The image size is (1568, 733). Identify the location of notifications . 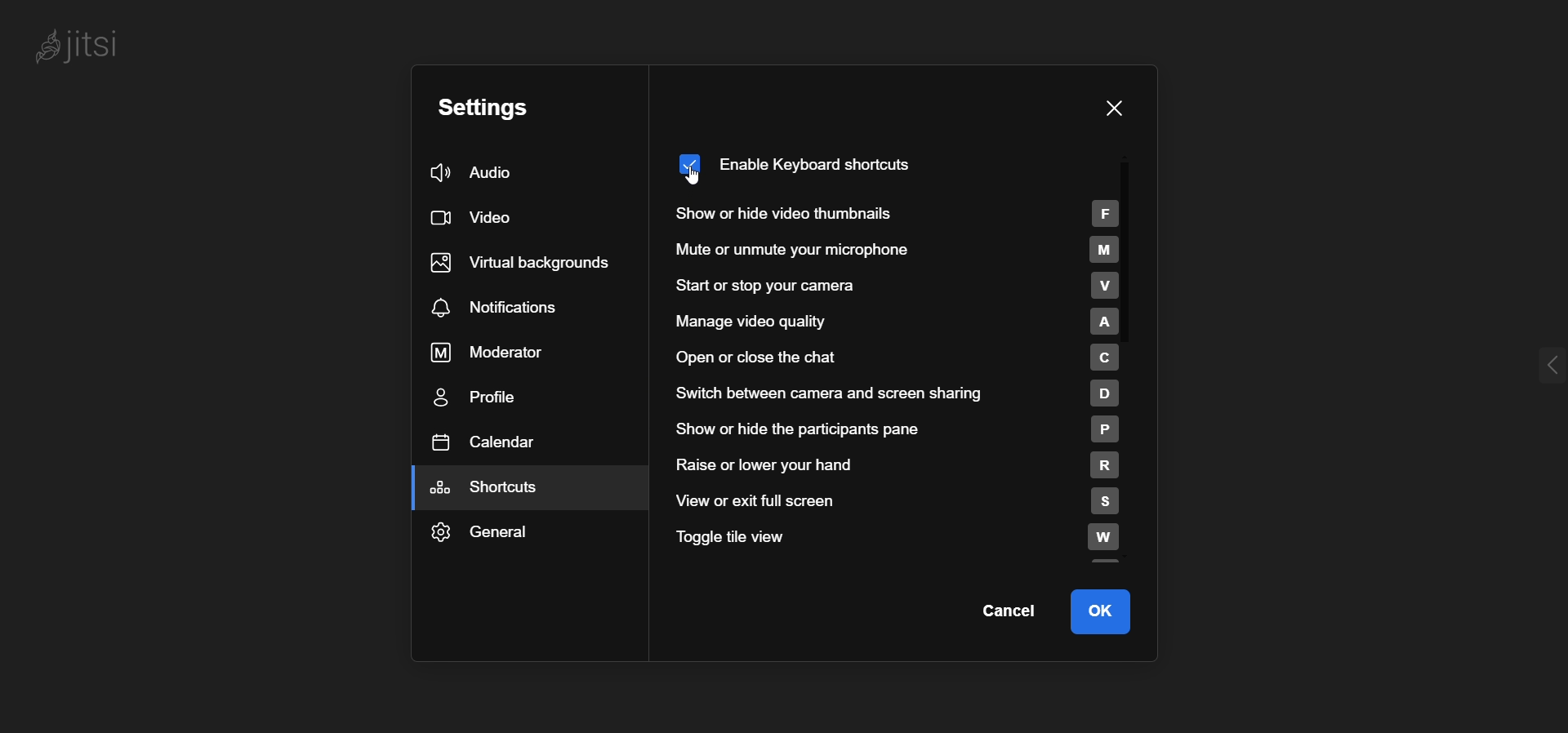
(504, 309).